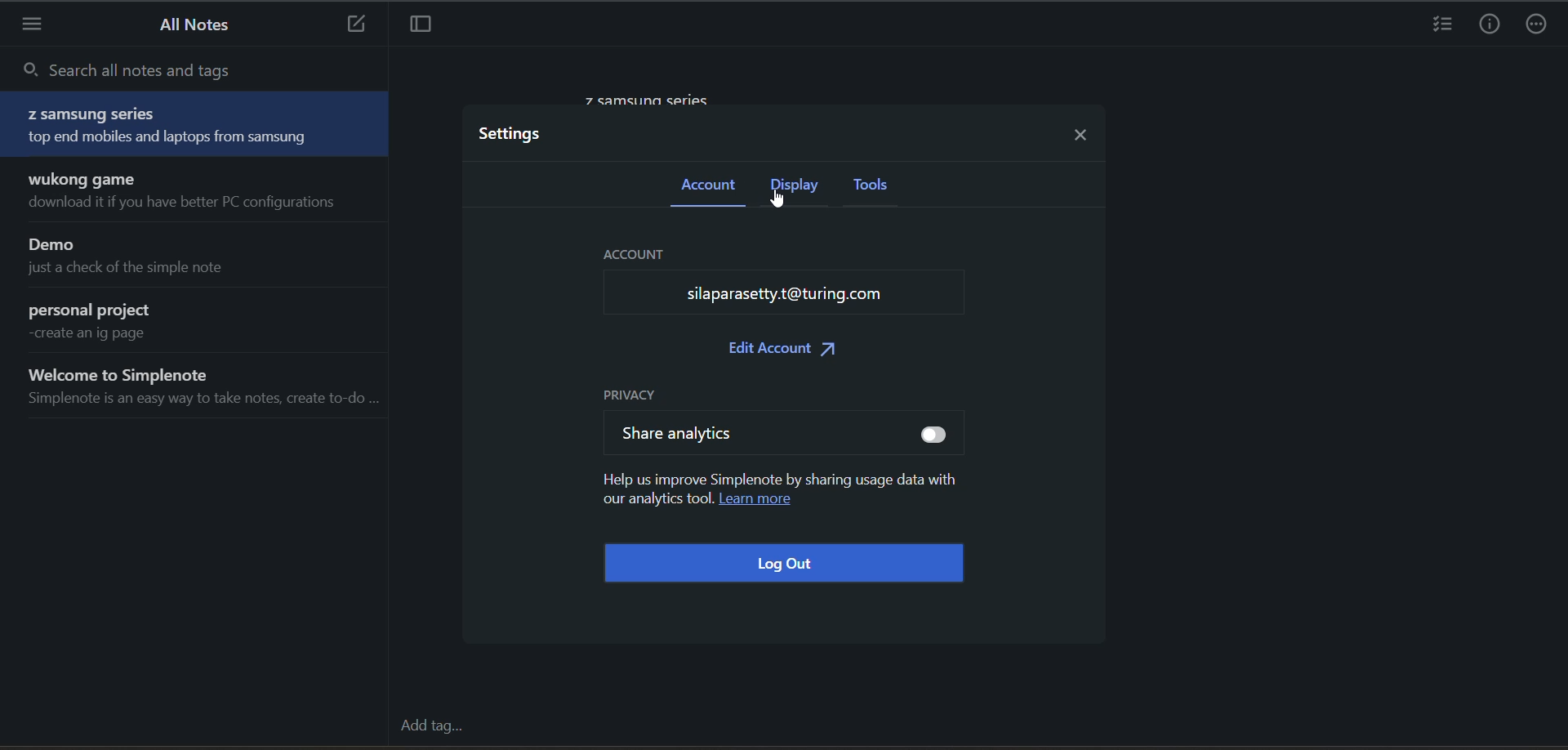  What do you see at coordinates (196, 125) in the screenshot?
I see `Z samsung series
top end mobiles and laptops from samsung` at bounding box center [196, 125].